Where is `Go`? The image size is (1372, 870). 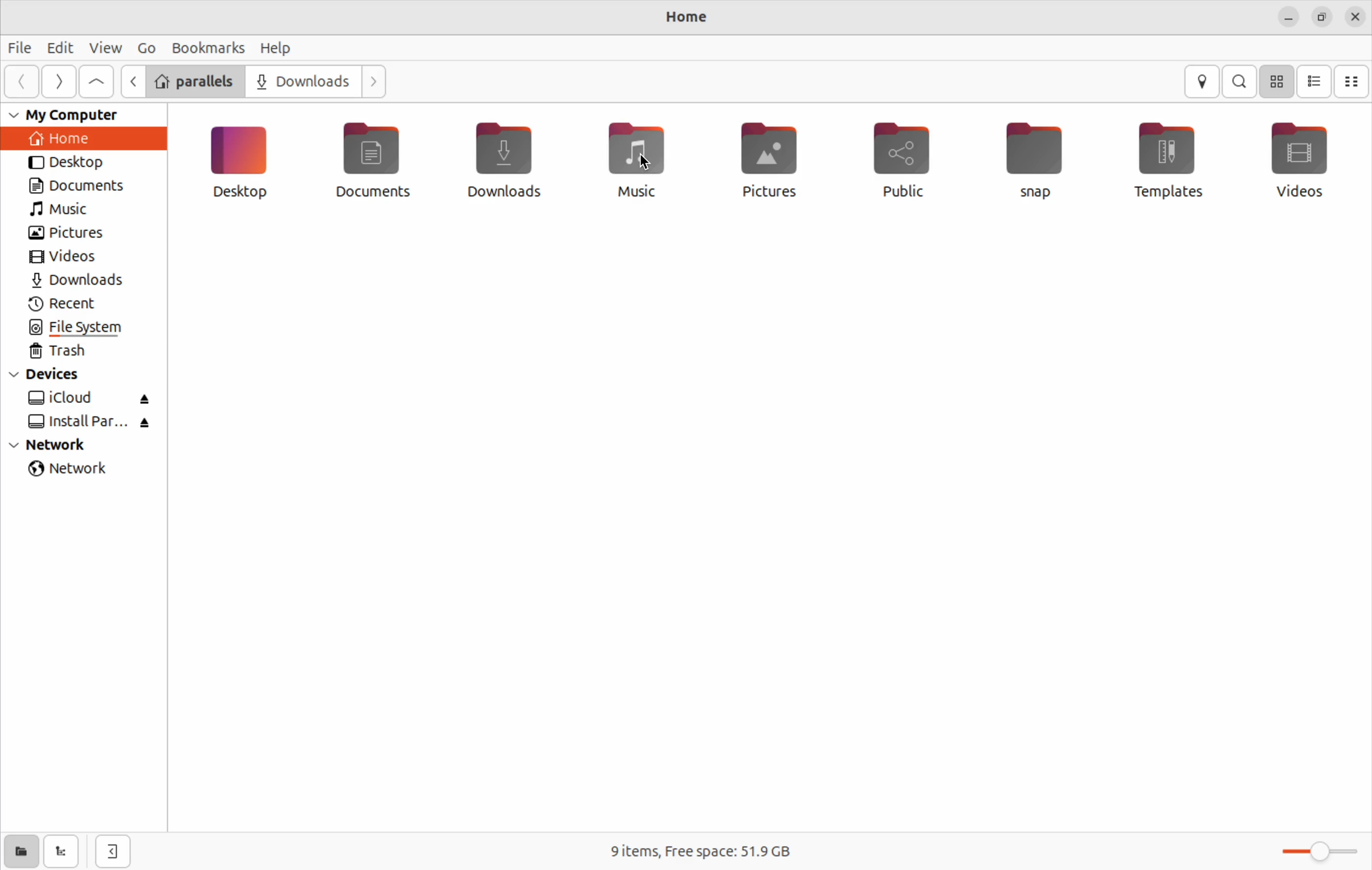
Go is located at coordinates (145, 48).